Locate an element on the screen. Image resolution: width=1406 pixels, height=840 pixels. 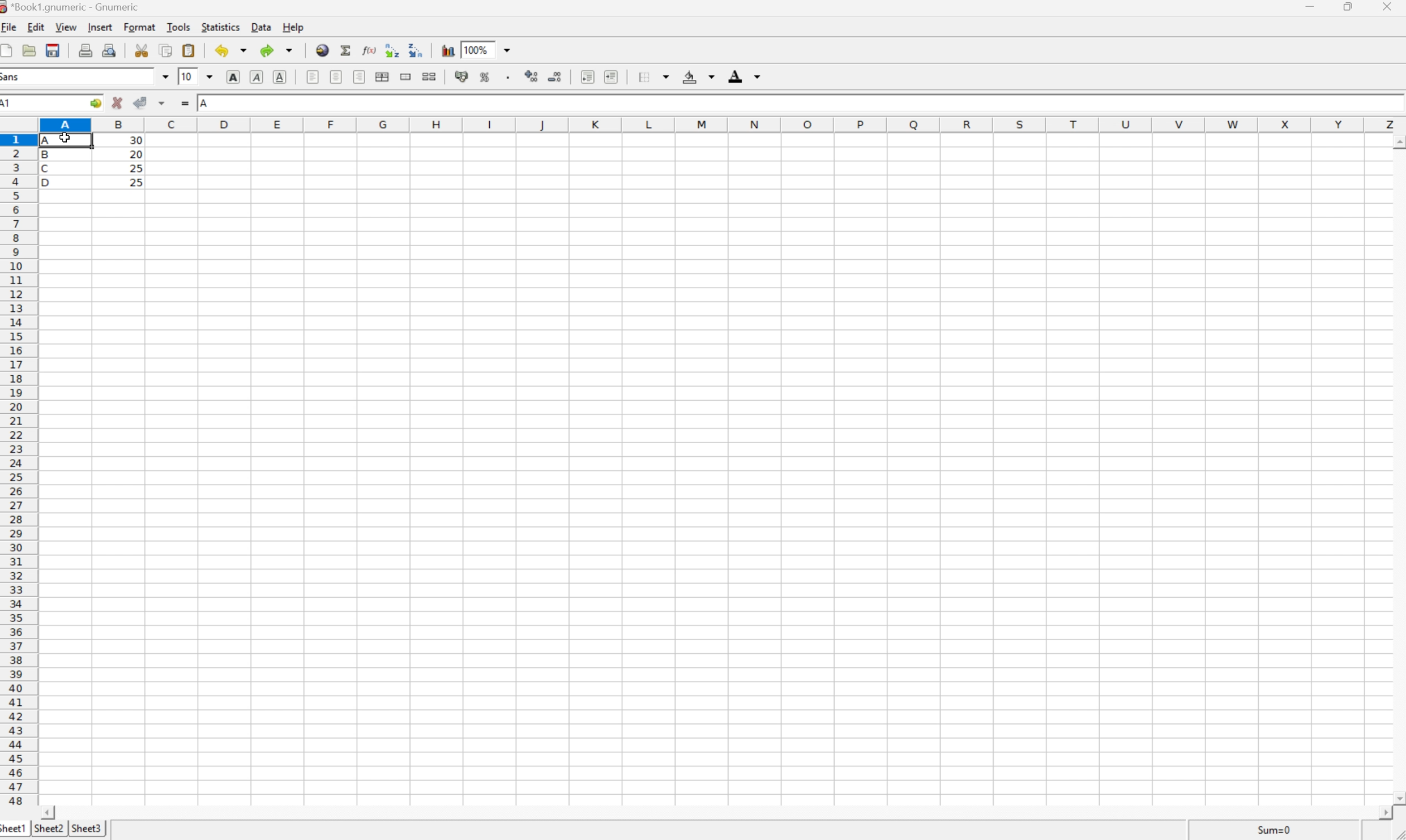
Drop Down is located at coordinates (164, 76).